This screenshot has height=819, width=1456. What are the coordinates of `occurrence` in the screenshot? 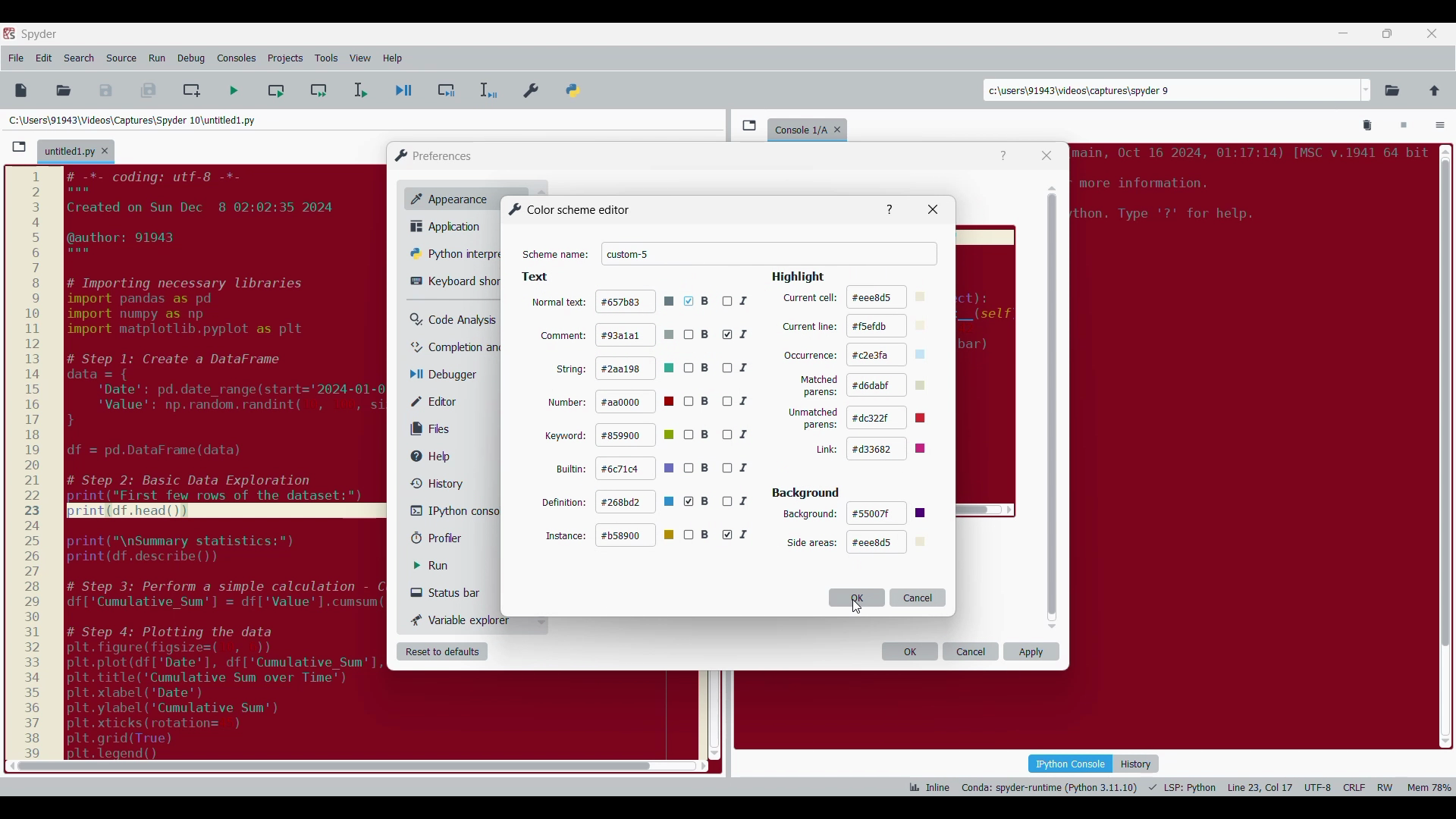 It's located at (811, 356).